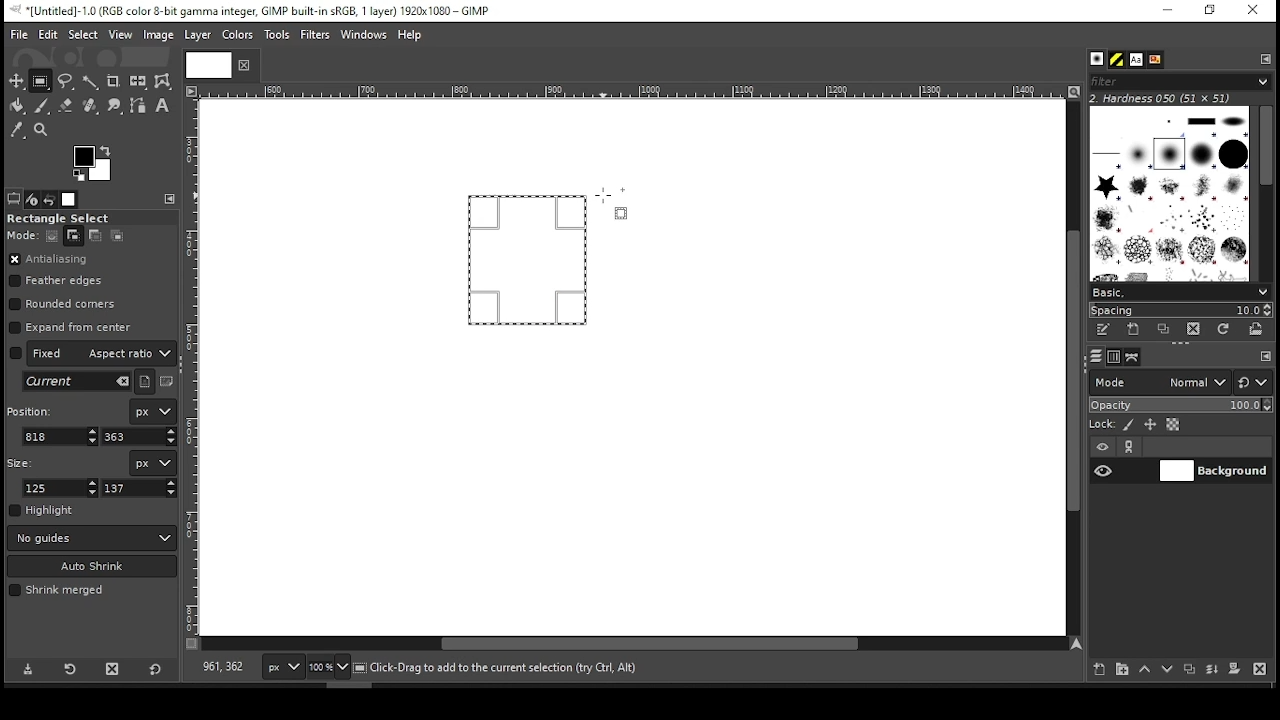 The image size is (1280, 720). What do you see at coordinates (113, 82) in the screenshot?
I see `crop  tool` at bounding box center [113, 82].